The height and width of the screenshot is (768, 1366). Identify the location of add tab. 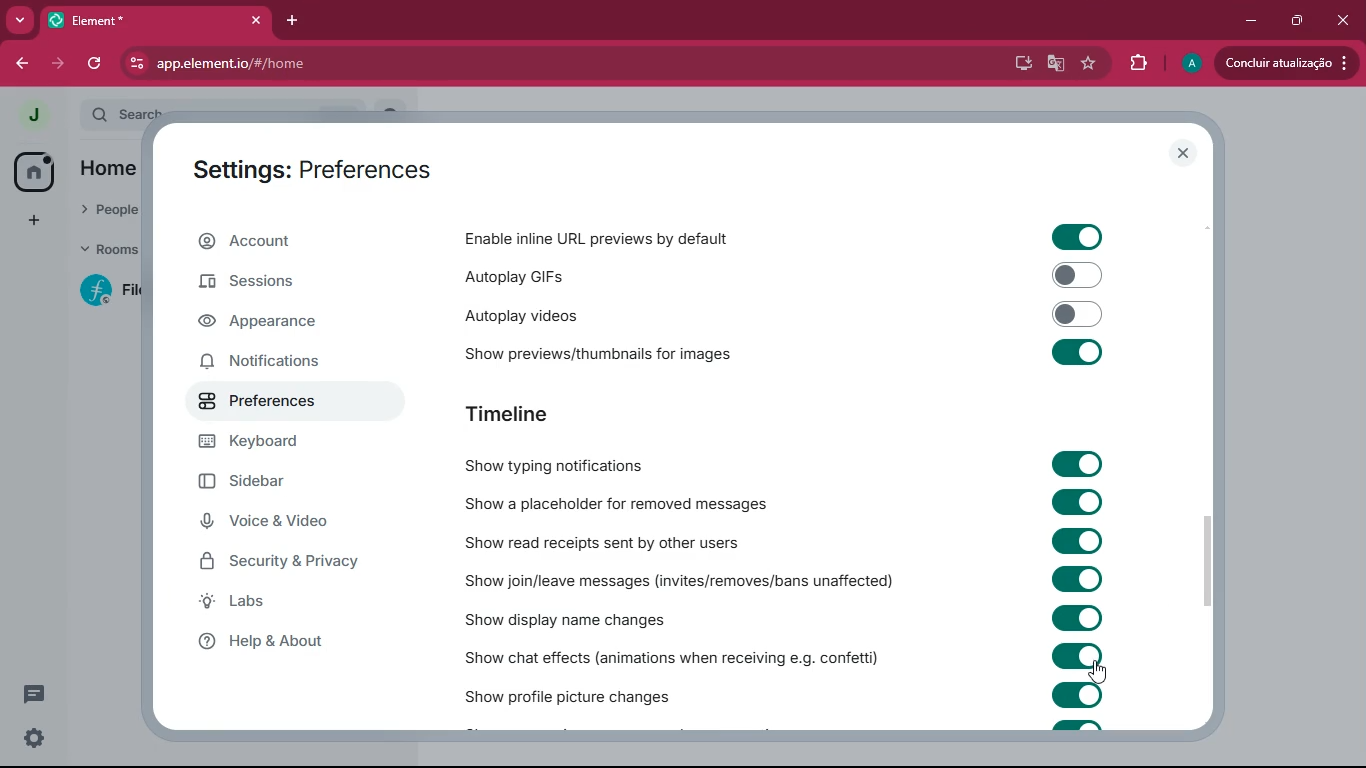
(294, 20).